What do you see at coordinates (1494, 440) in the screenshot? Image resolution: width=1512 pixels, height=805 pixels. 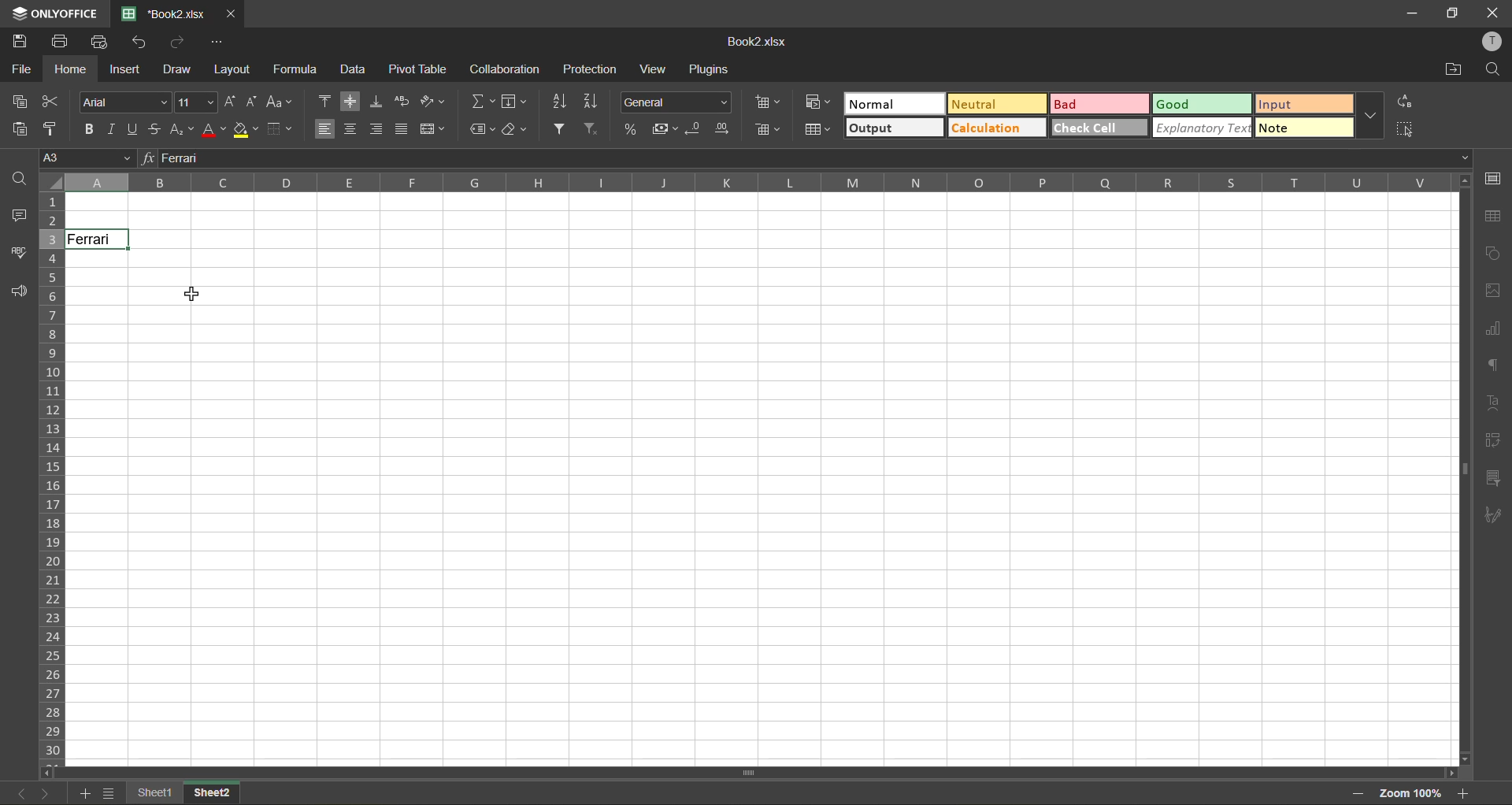 I see `pivot table` at bounding box center [1494, 440].